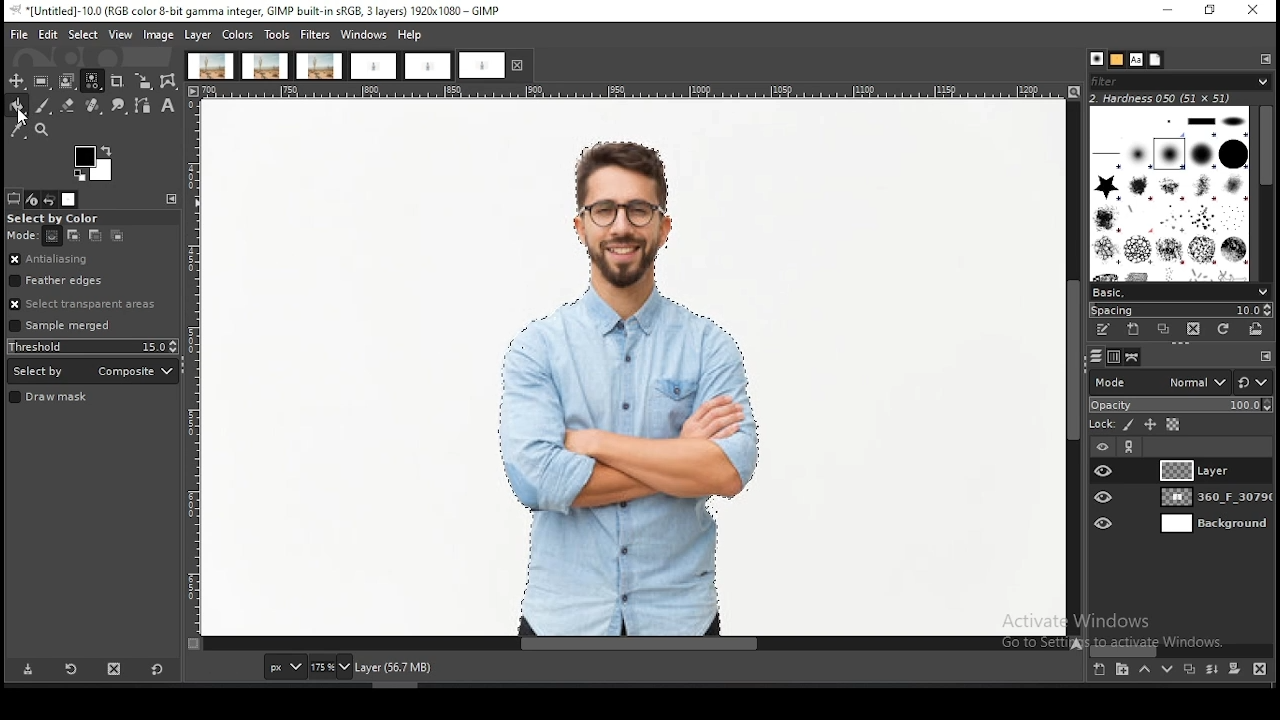 The width and height of the screenshot is (1280, 720). What do you see at coordinates (116, 667) in the screenshot?
I see `delete tool preset` at bounding box center [116, 667].